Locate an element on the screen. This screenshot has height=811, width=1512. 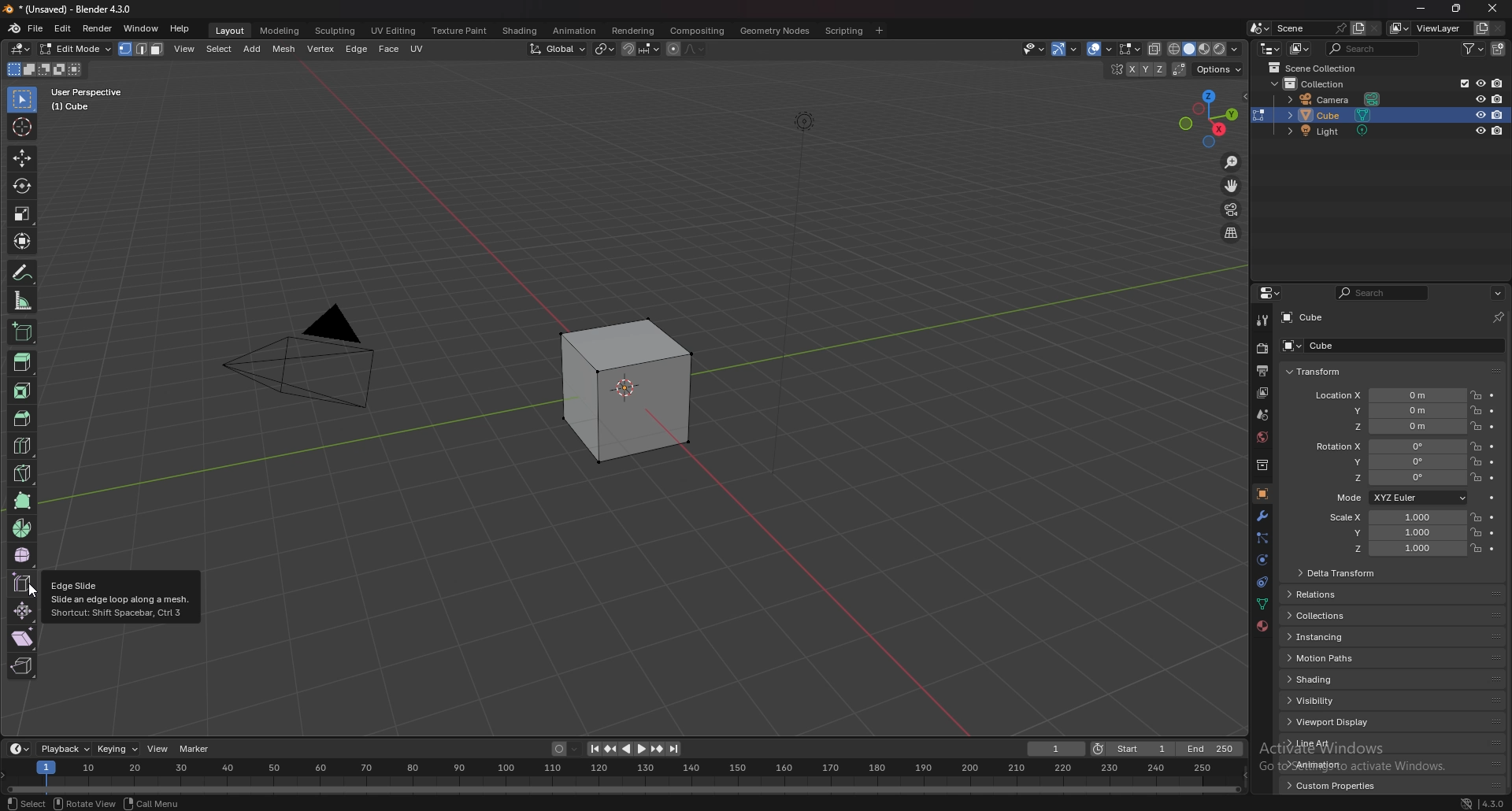
shading is located at coordinates (521, 30).